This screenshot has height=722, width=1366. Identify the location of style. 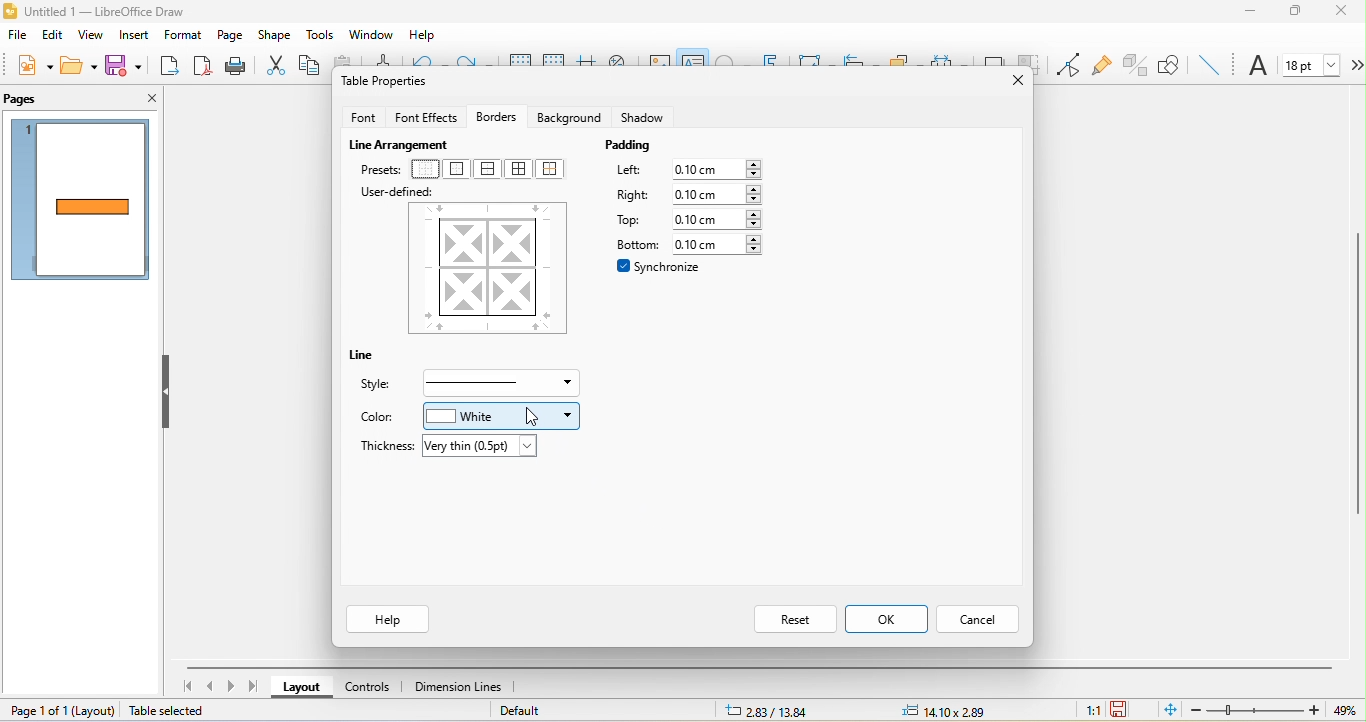
(383, 385).